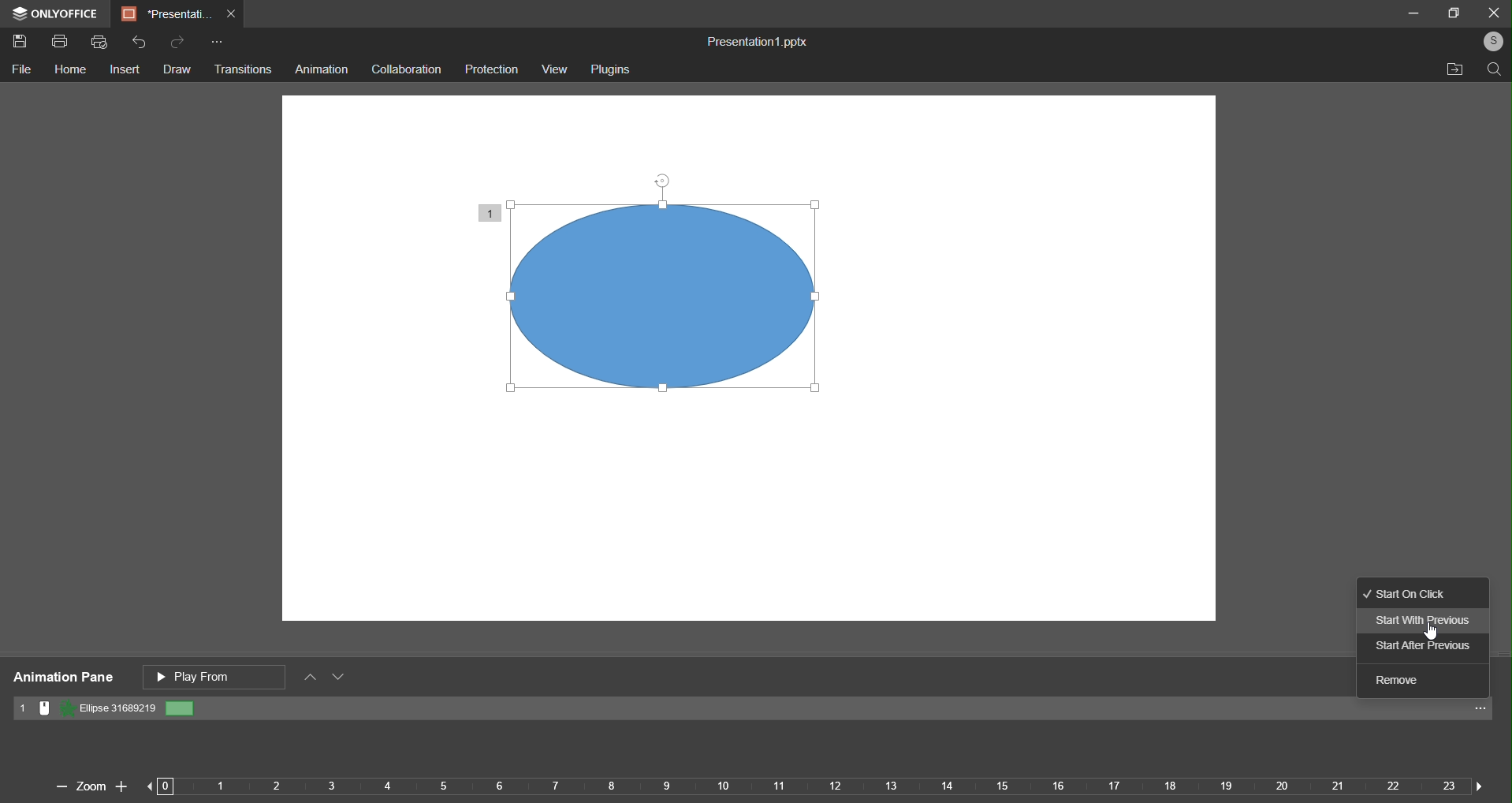 Image resolution: width=1512 pixels, height=803 pixels. Describe the element at coordinates (178, 42) in the screenshot. I see `Redo` at that location.